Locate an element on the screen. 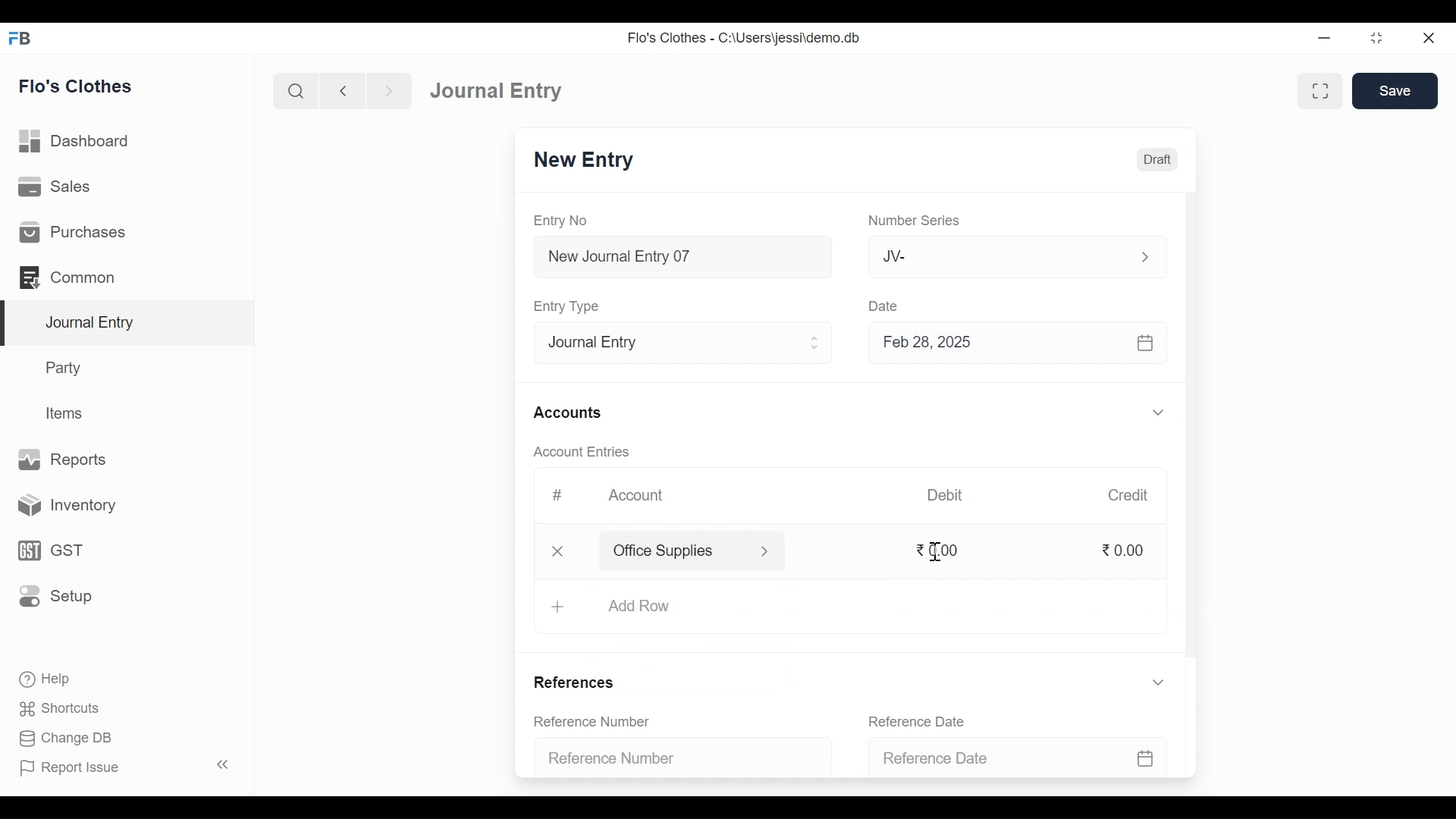 The height and width of the screenshot is (819, 1456). Draft is located at coordinates (1154, 160).